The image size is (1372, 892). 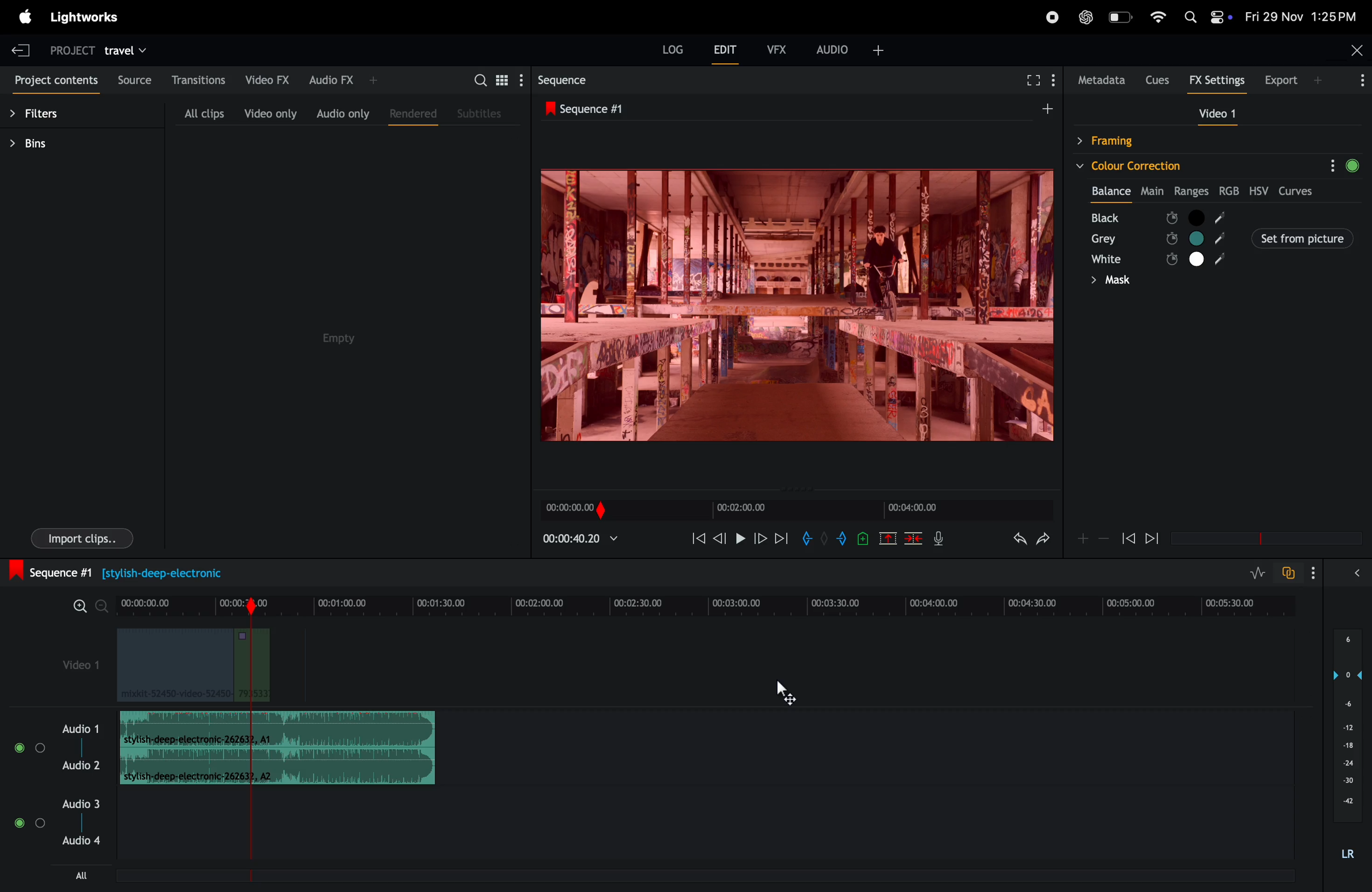 What do you see at coordinates (842, 540) in the screenshot?
I see `add out mark to current position` at bounding box center [842, 540].